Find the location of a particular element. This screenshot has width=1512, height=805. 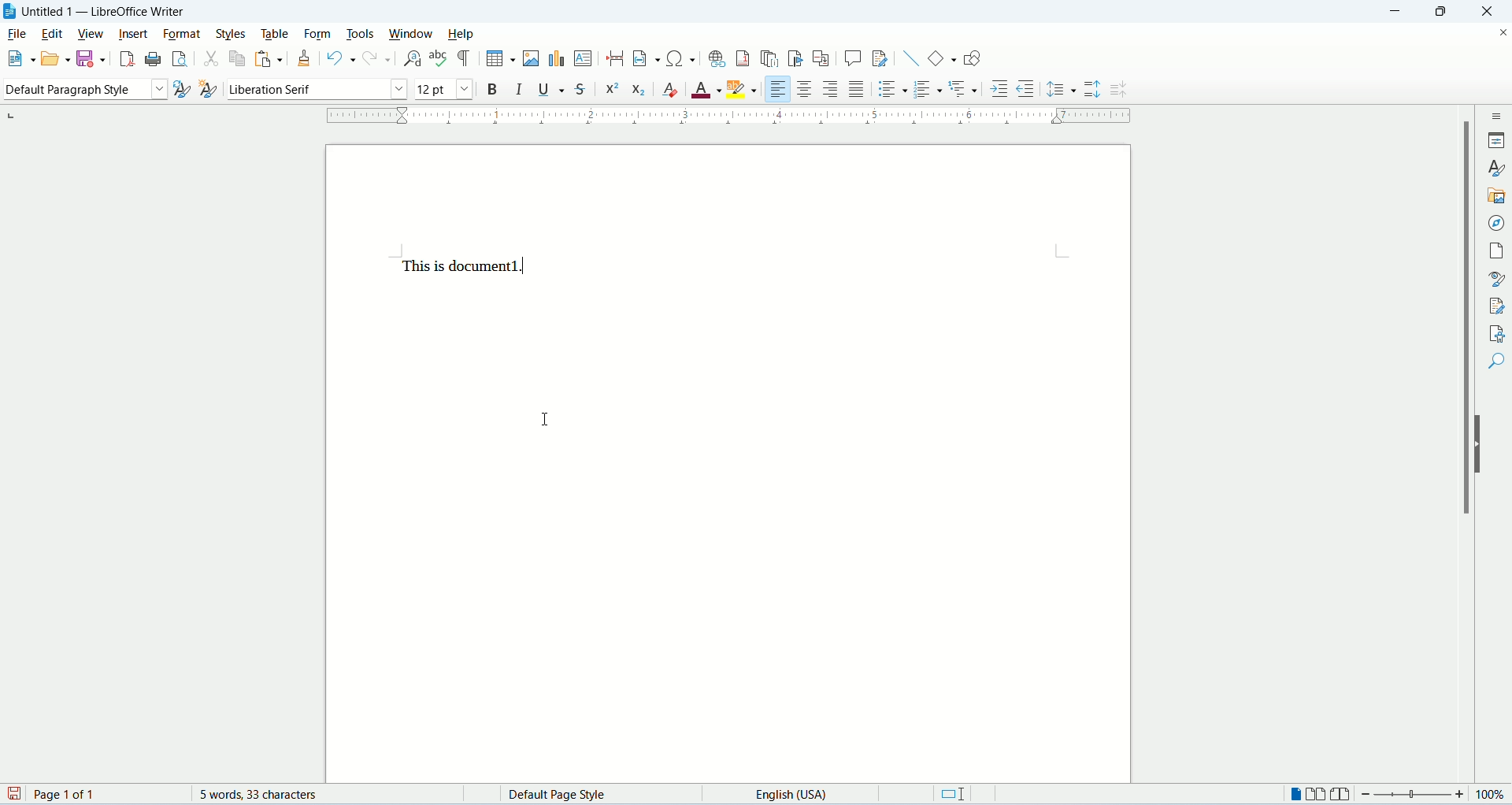

ordered list is located at coordinates (928, 91).